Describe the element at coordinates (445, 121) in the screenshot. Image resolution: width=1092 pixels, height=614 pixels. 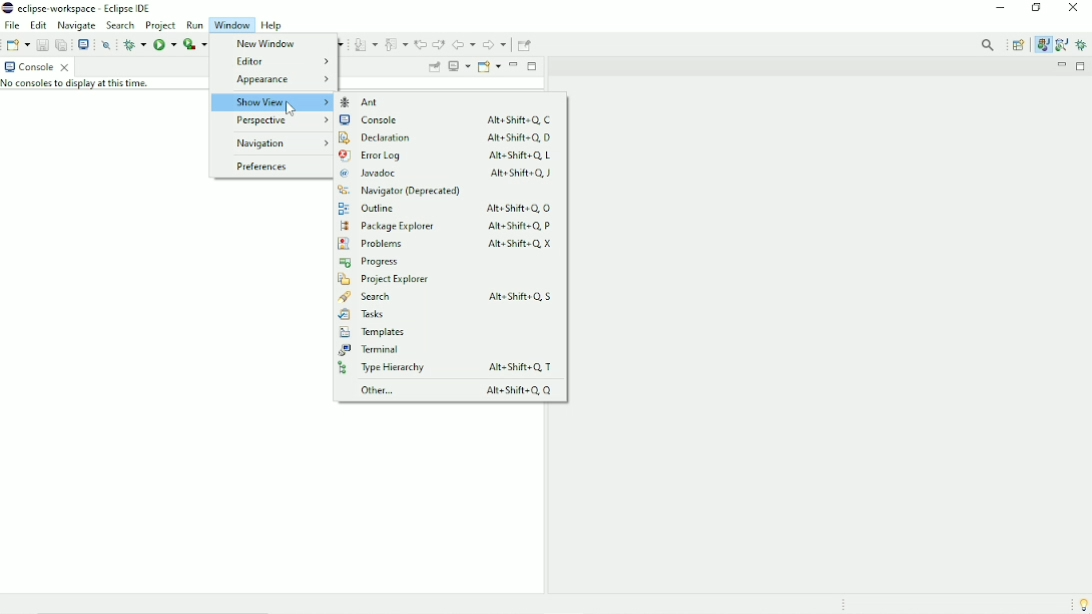
I see `Console` at that location.